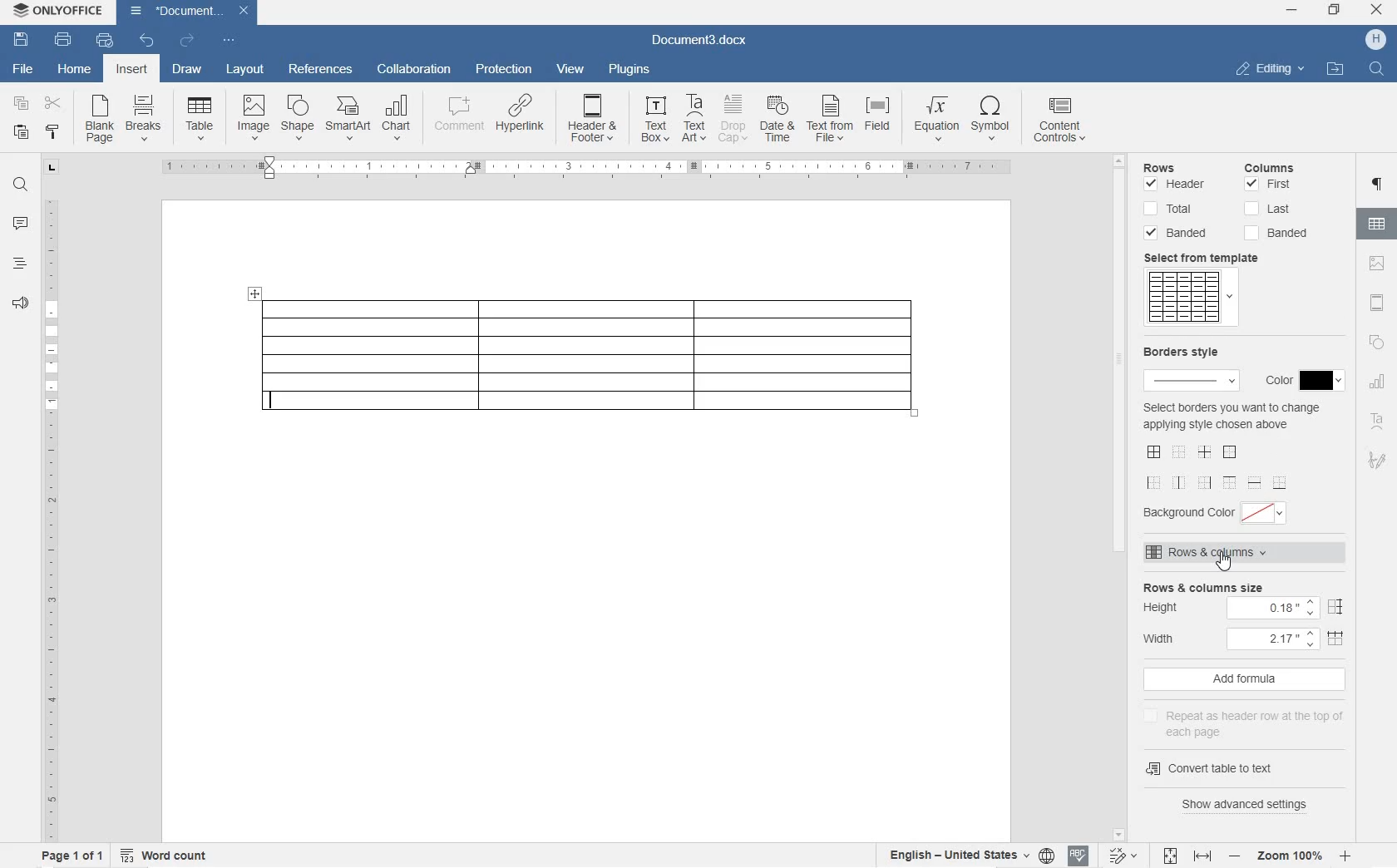 This screenshot has height=868, width=1397. Describe the element at coordinates (348, 119) in the screenshot. I see `SMARTART` at that location.